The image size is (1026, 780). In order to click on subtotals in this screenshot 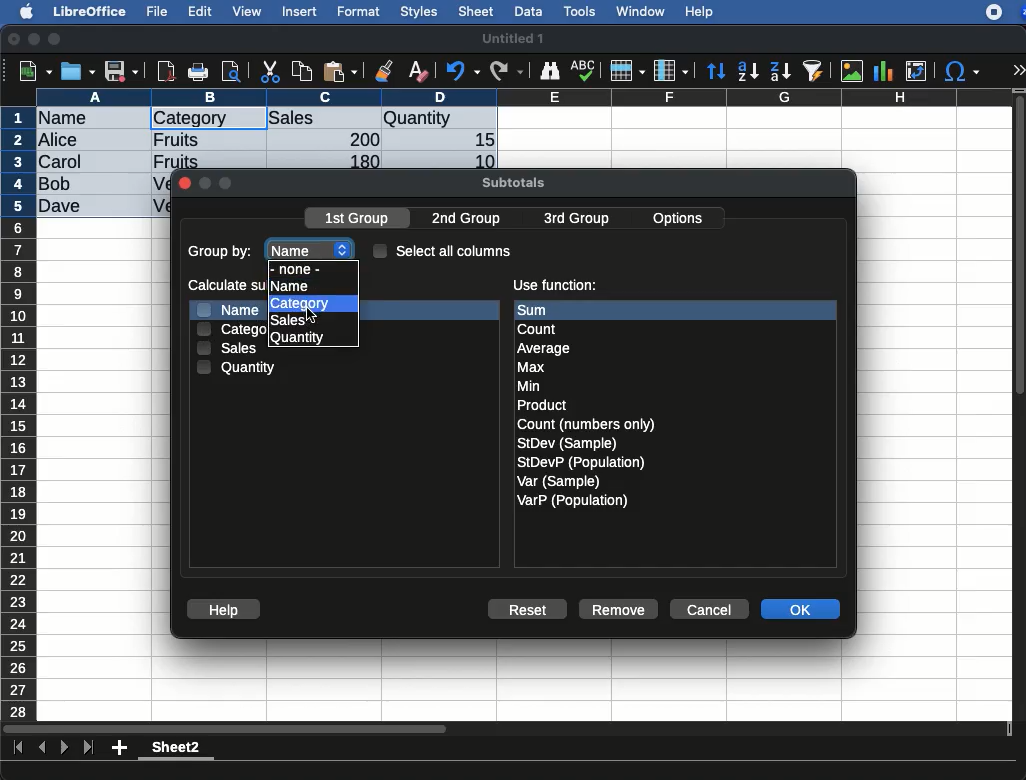, I will do `click(513, 180)`.